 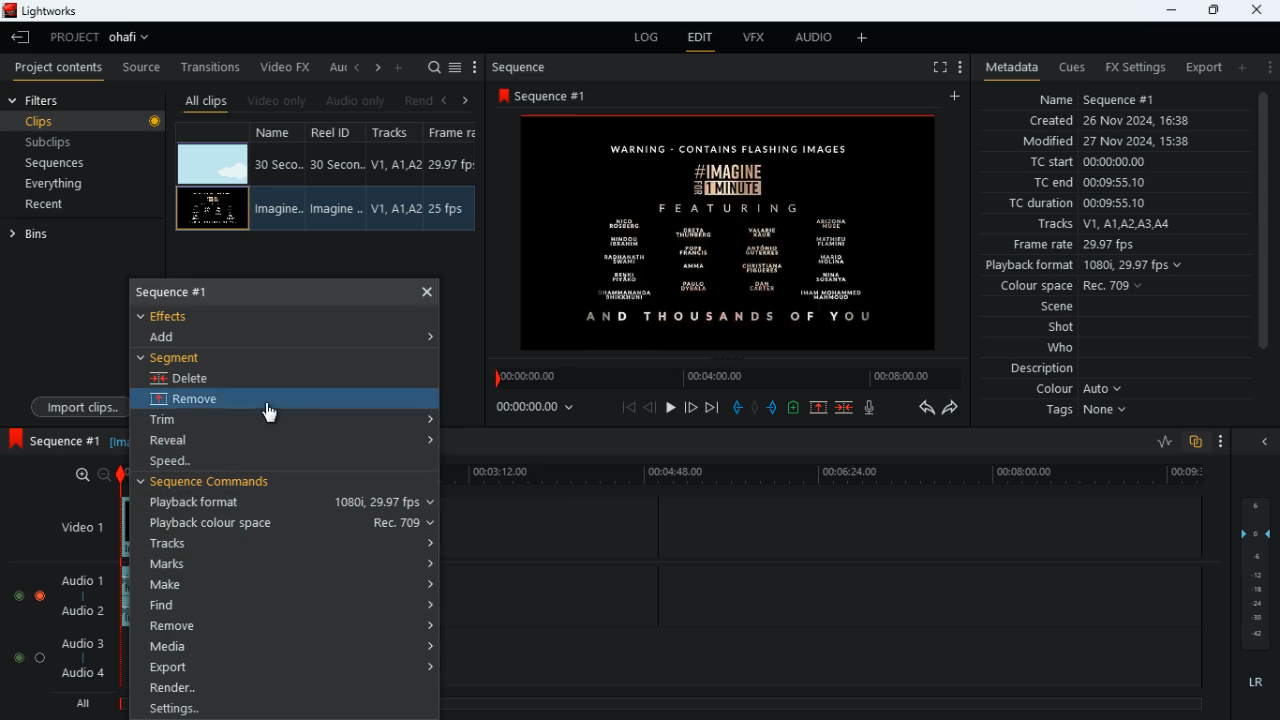 I want to click on close options bar, so click(x=424, y=292).